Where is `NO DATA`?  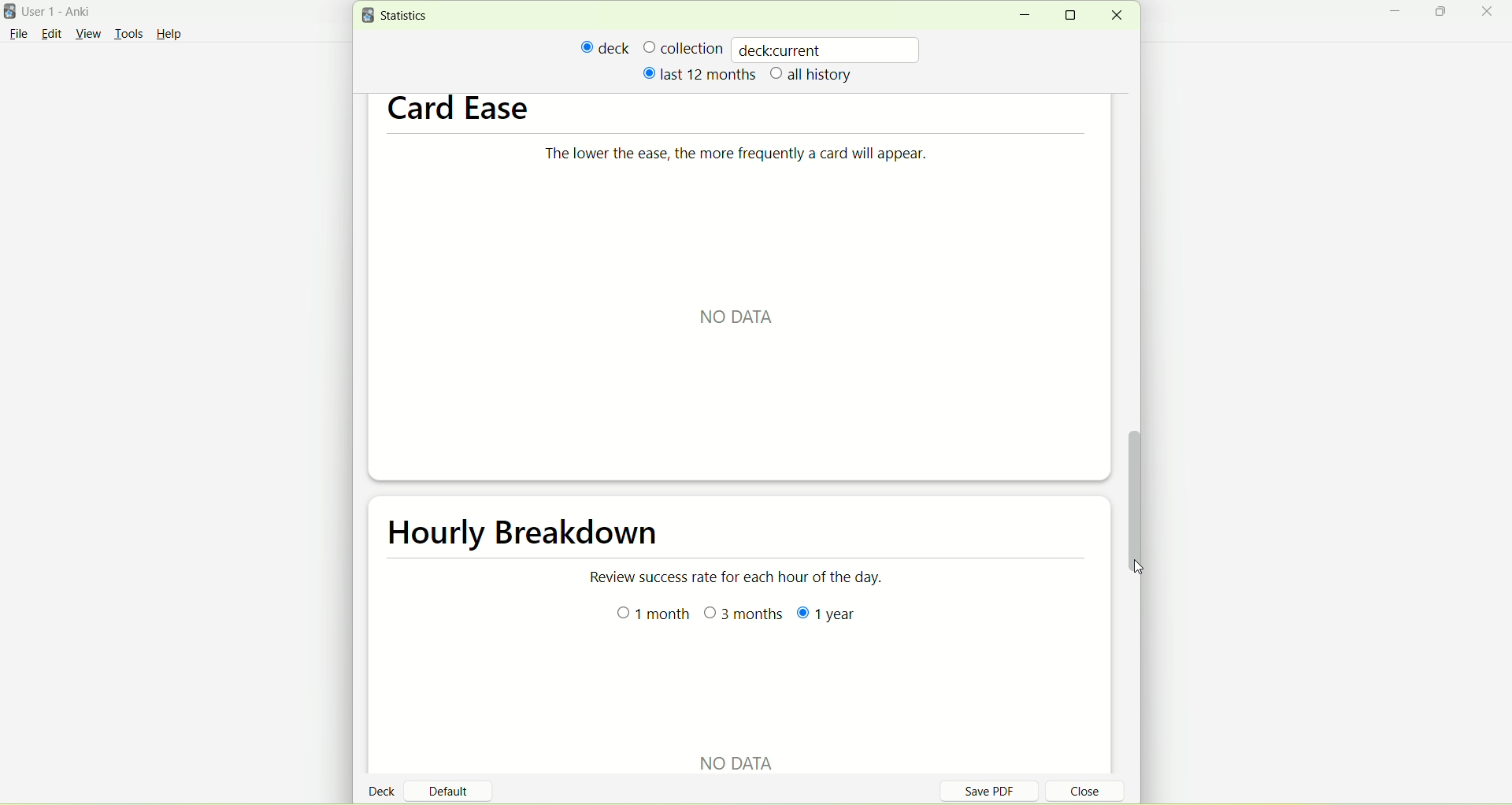 NO DATA is located at coordinates (732, 756).